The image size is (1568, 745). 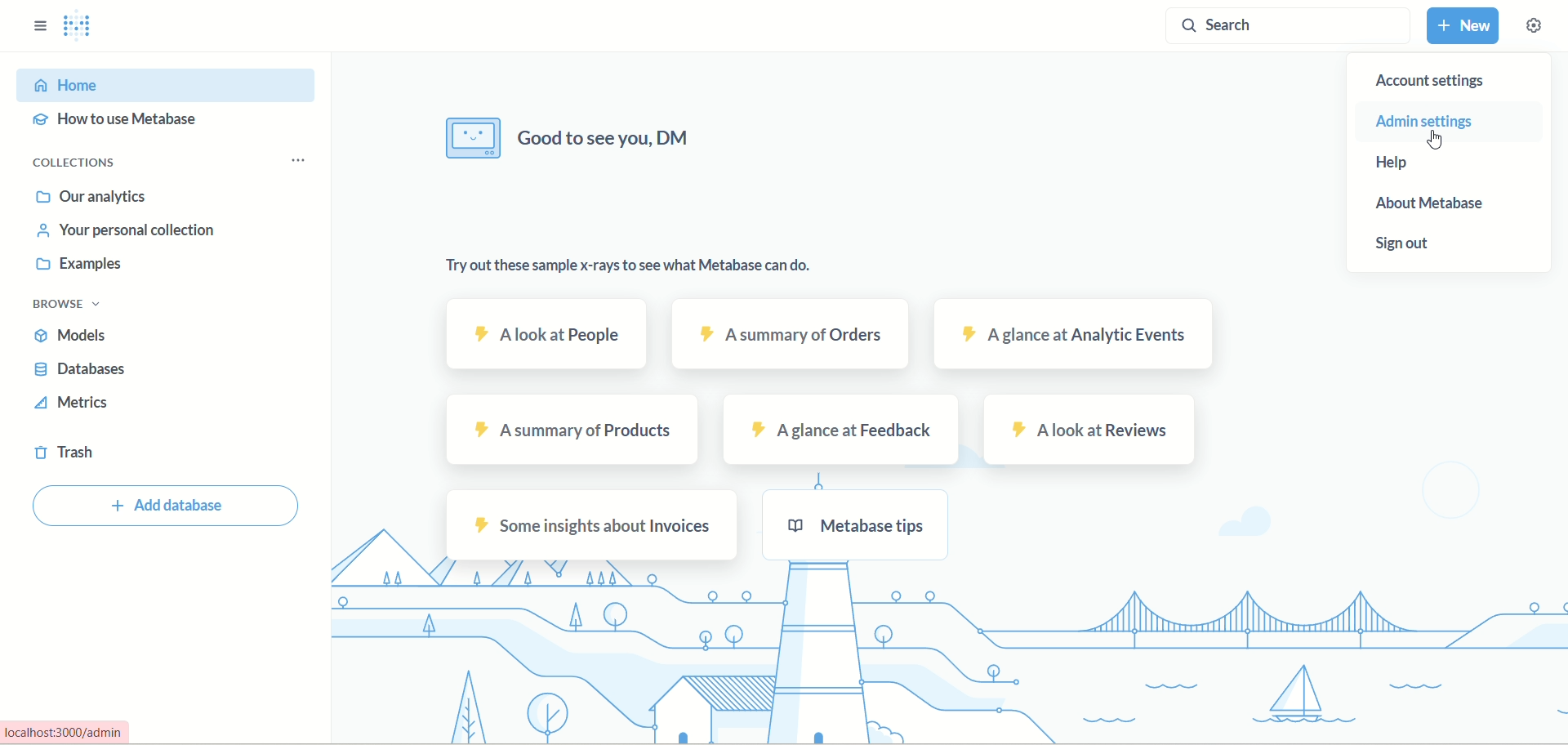 I want to click on metrics, so click(x=73, y=407).